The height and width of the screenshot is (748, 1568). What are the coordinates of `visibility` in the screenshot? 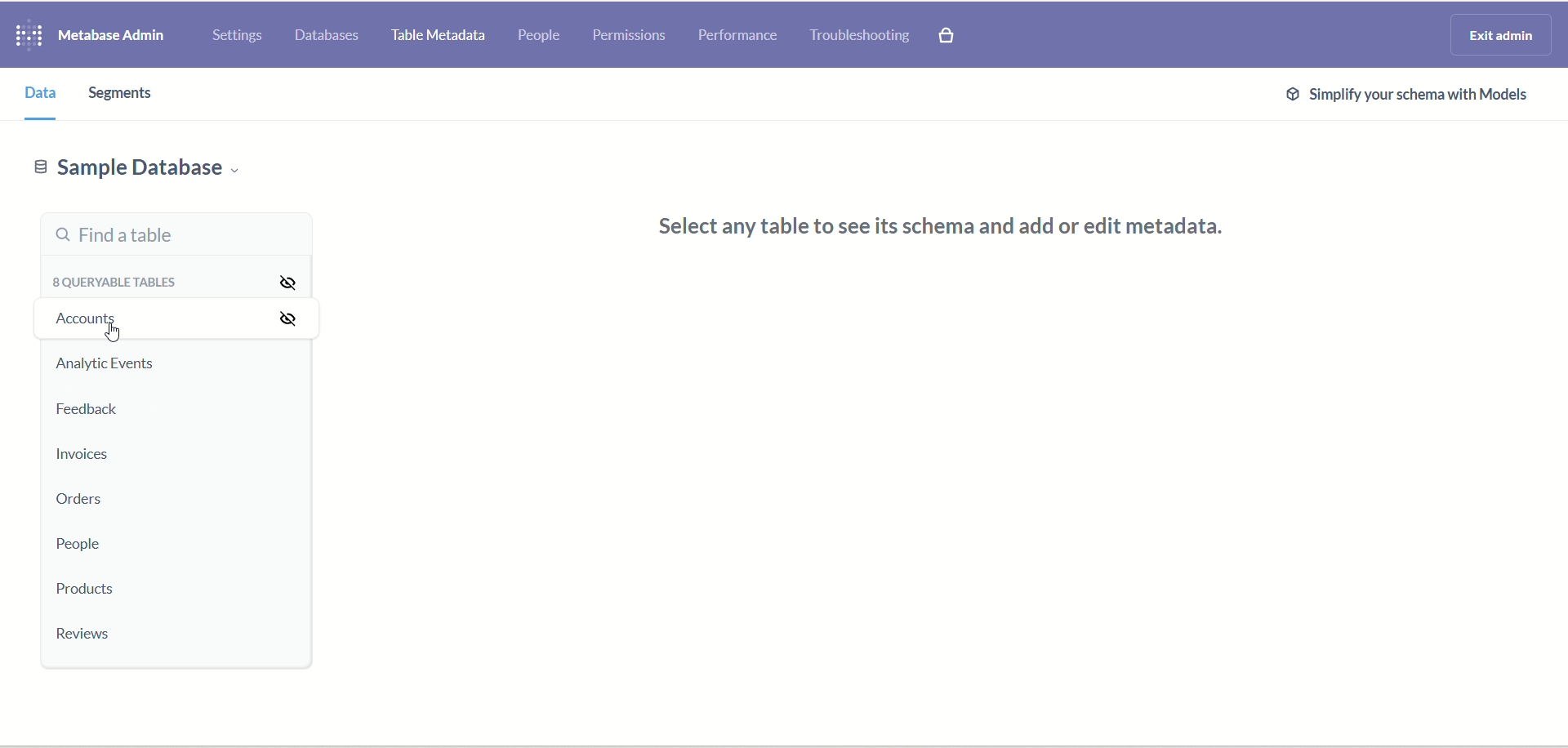 It's located at (290, 320).